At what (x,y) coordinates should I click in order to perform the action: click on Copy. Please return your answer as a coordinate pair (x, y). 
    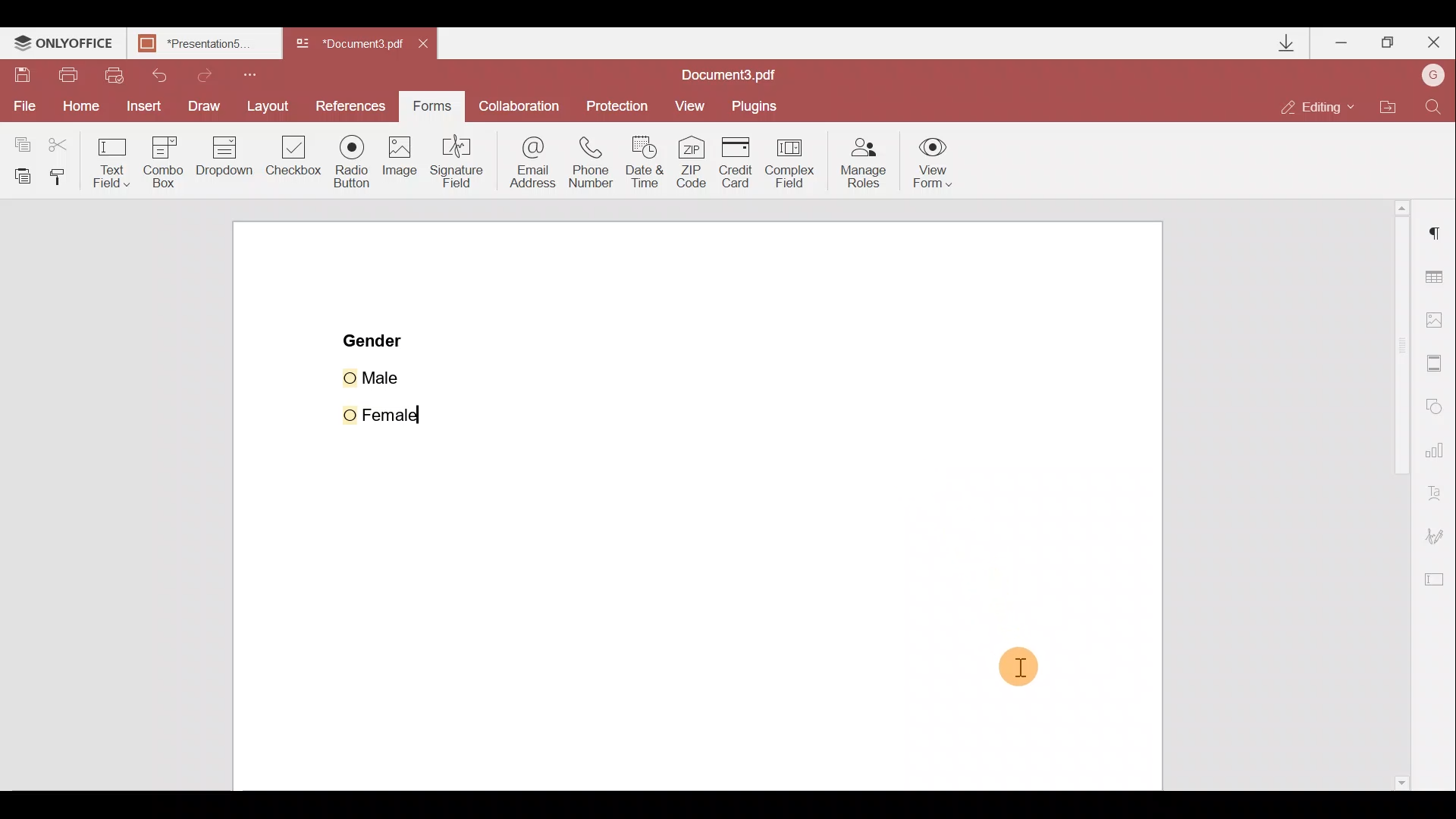
    Looking at the image, I should click on (19, 140).